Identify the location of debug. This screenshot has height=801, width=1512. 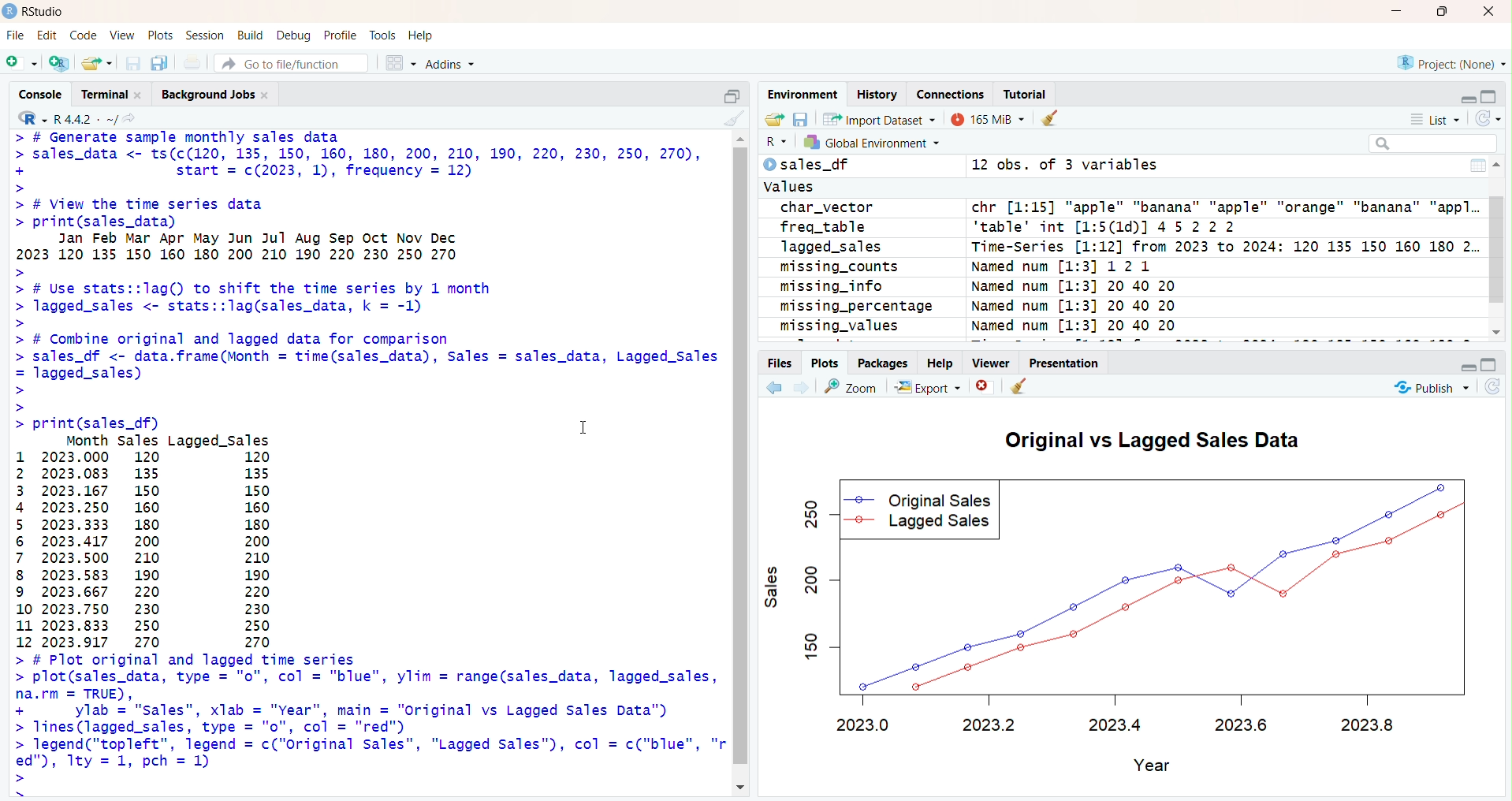
(294, 35).